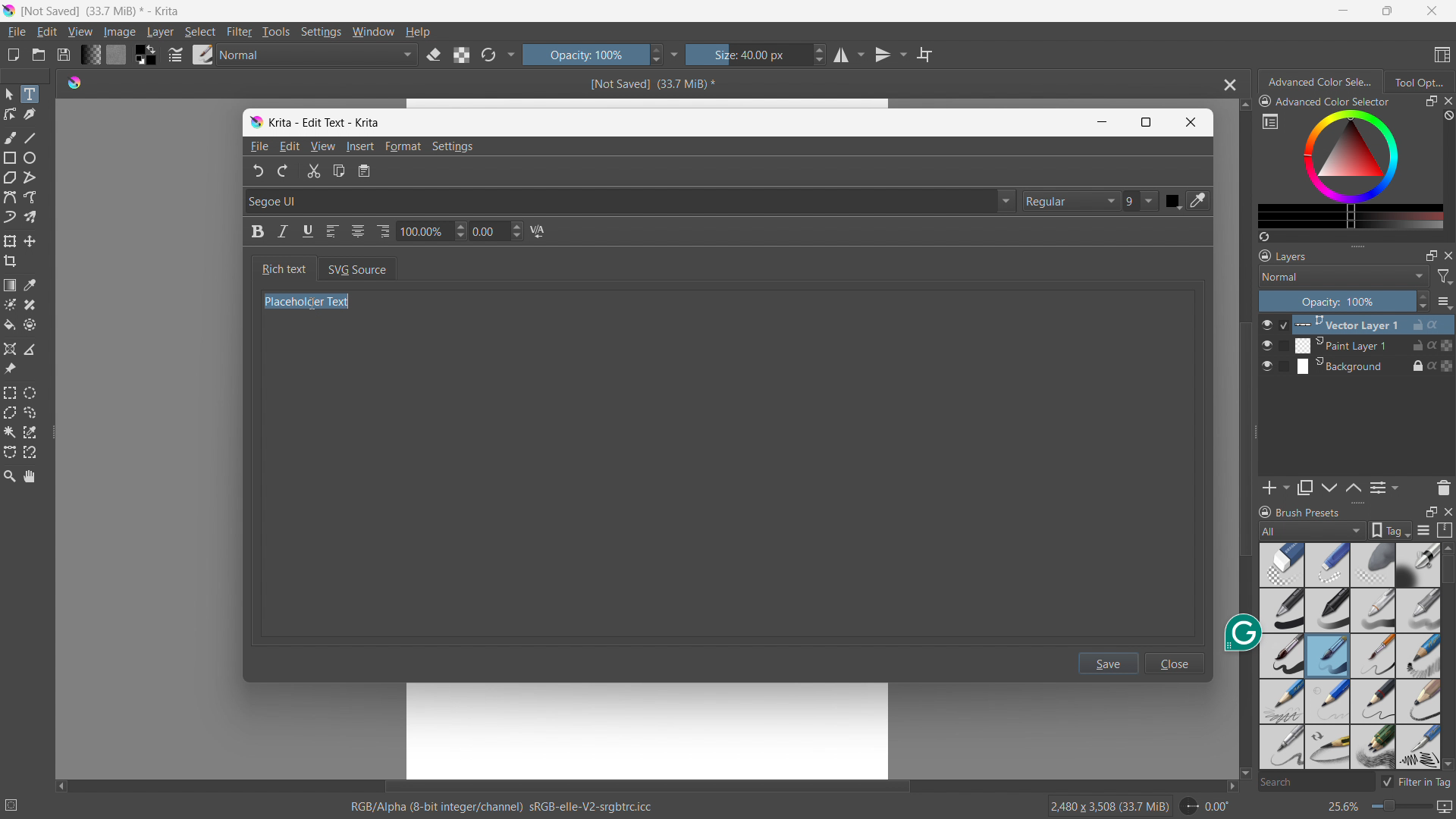 Image resolution: width=1456 pixels, height=819 pixels. Describe the element at coordinates (1442, 55) in the screenshot. I see `choose workspace` at that location.